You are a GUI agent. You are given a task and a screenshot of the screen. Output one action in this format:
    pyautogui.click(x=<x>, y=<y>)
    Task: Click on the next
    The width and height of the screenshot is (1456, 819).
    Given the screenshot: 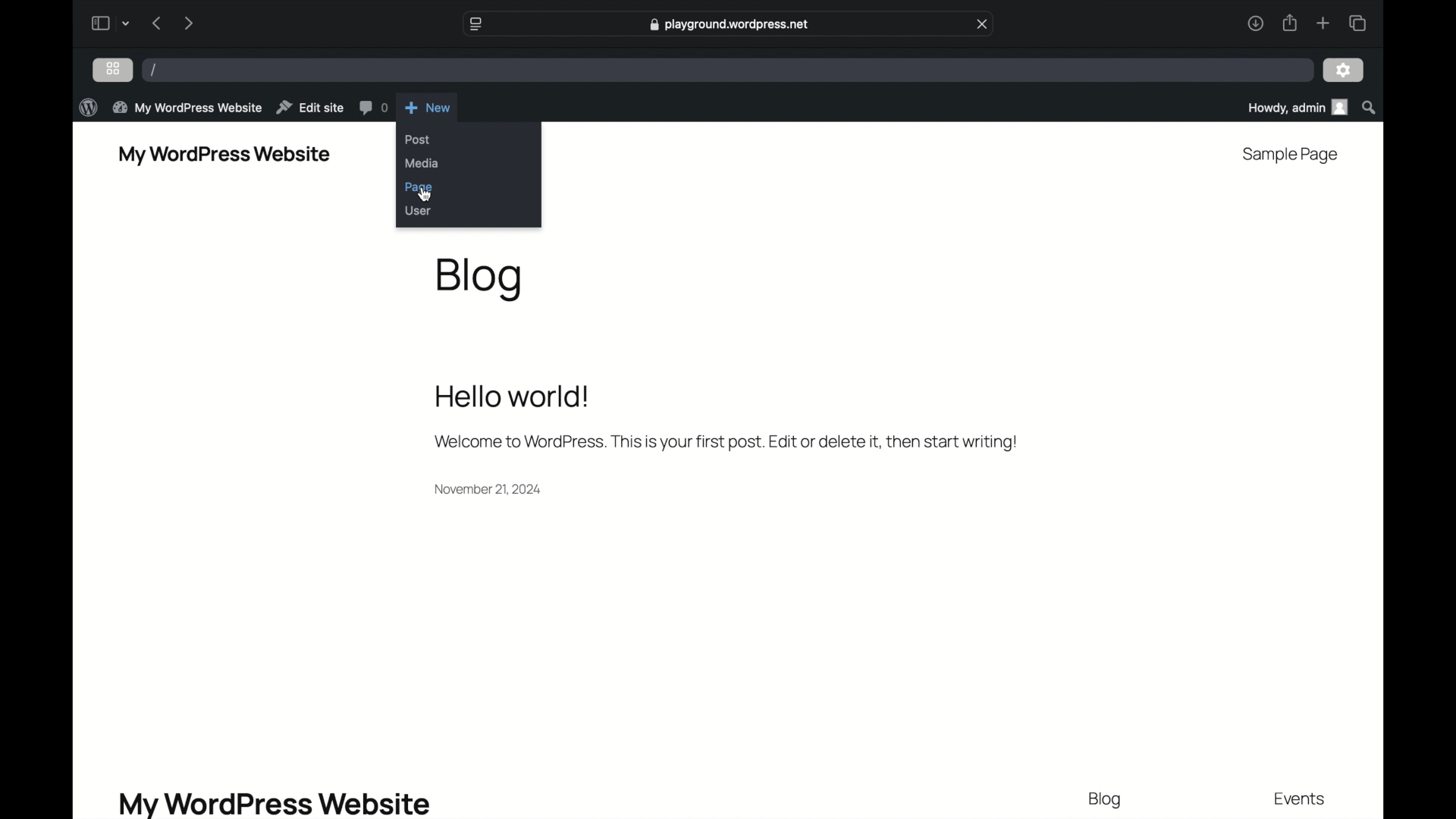 What is the action you would take?
    pyautogui.click(x=188, y=23)
    